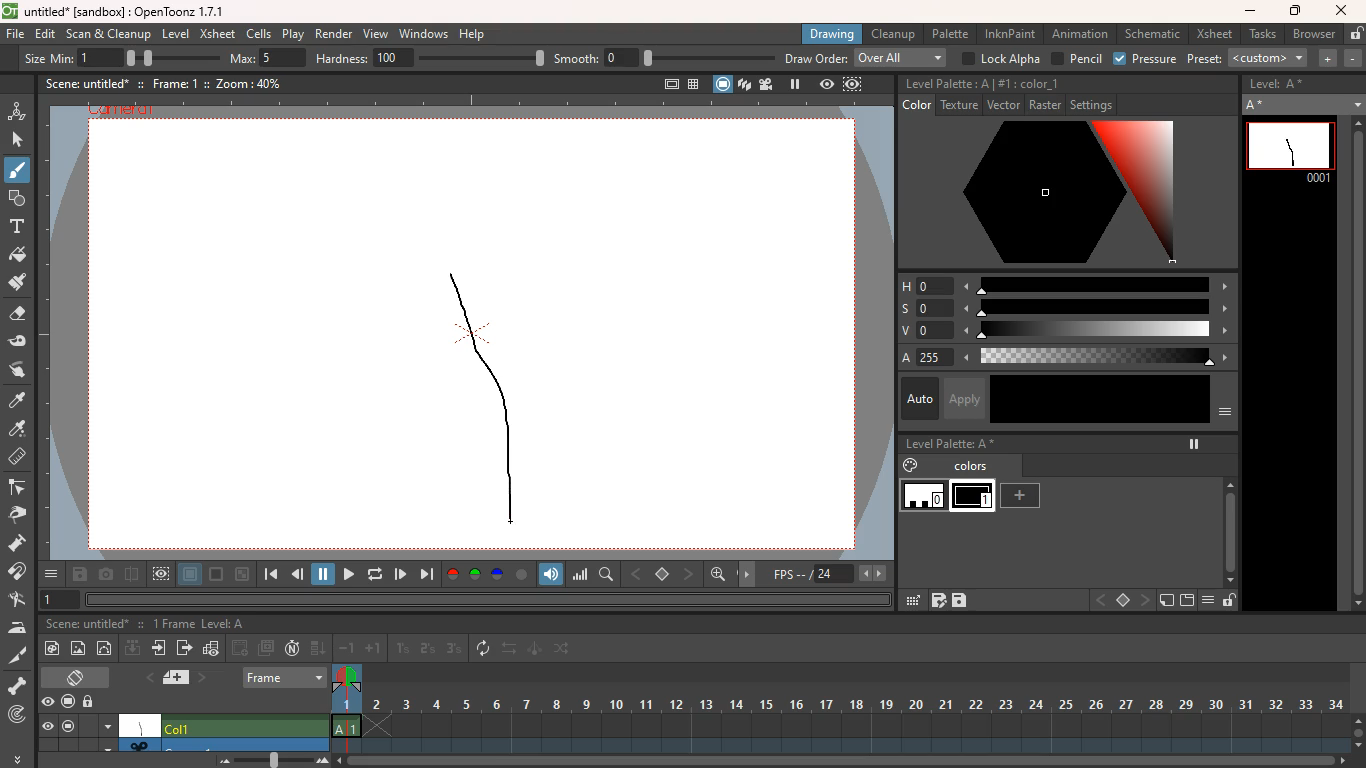 This screenshot has height=768, width=1366. What do you see at coordinates (1192, 444) in the screenshot?
I see `pause` at bounding box center [1192, 444].